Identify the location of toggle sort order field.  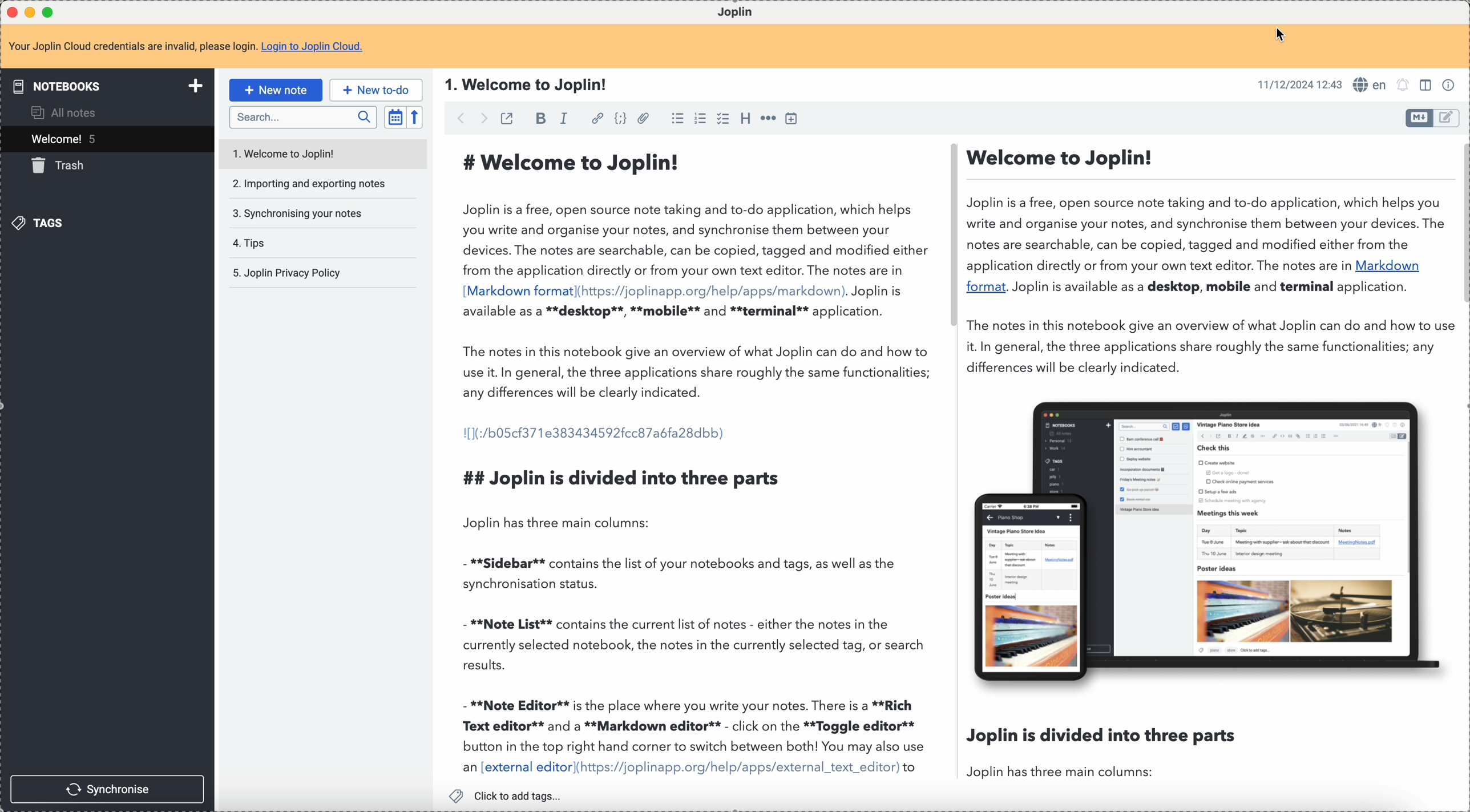
(395, 116).